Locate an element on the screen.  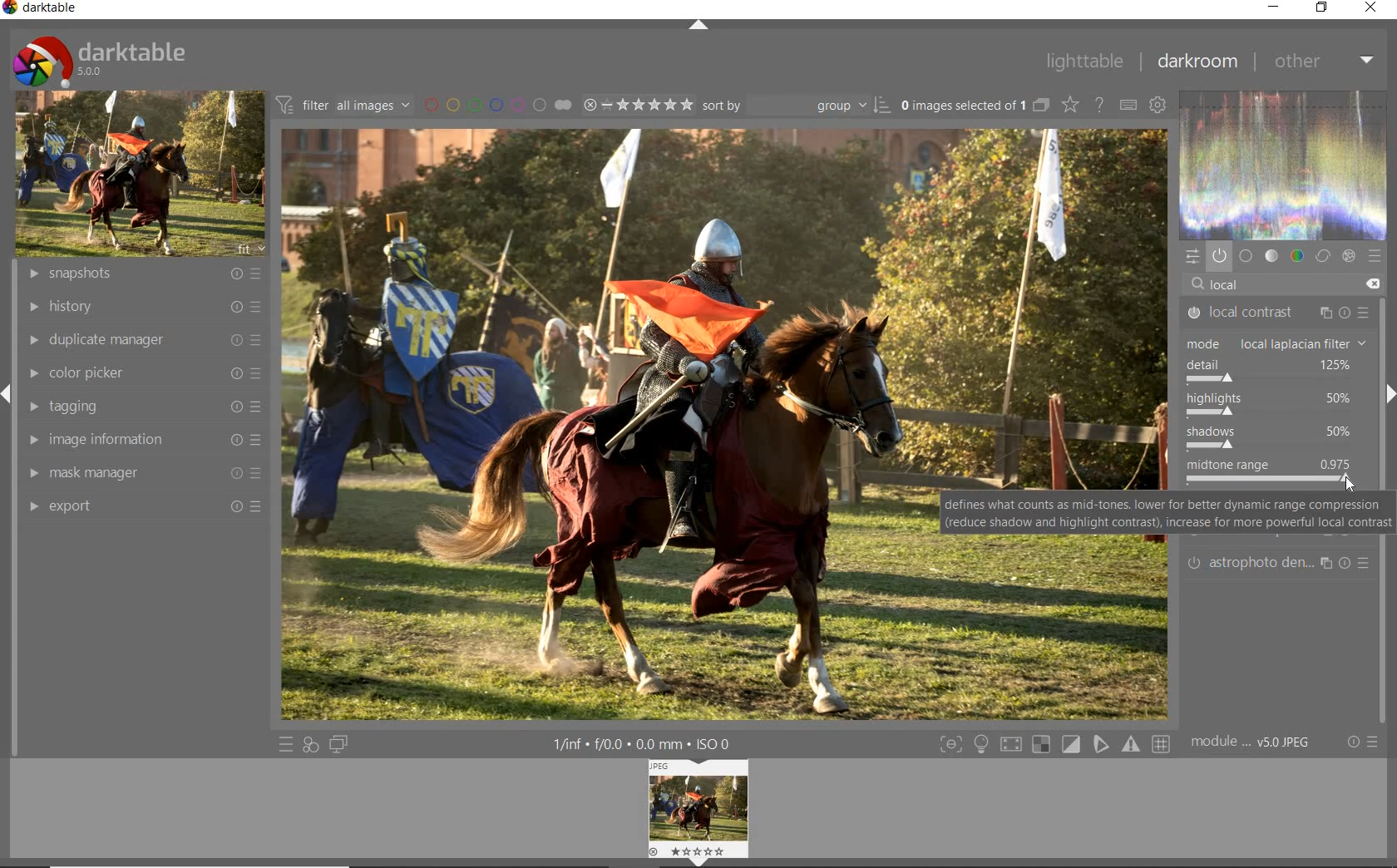
image is located at coordinates (141, 174).